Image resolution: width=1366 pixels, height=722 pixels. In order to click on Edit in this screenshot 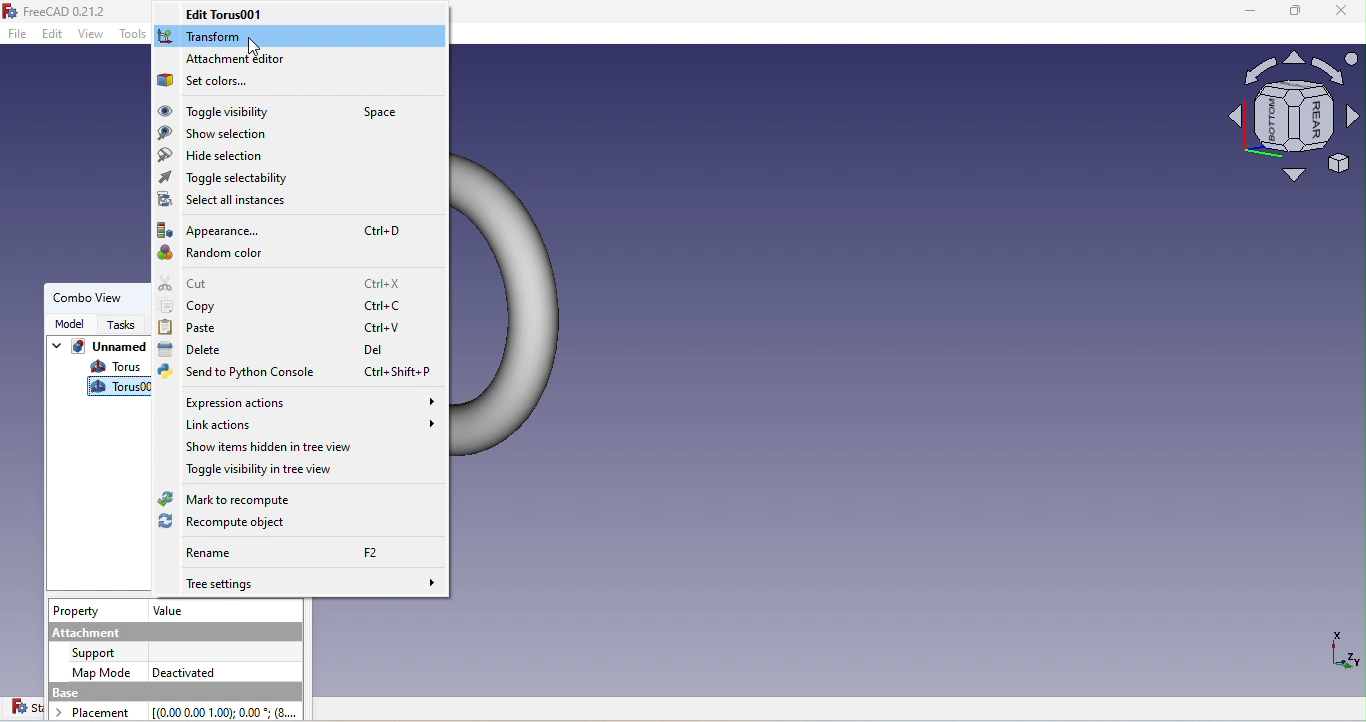, I will do `click(53, 35)`.